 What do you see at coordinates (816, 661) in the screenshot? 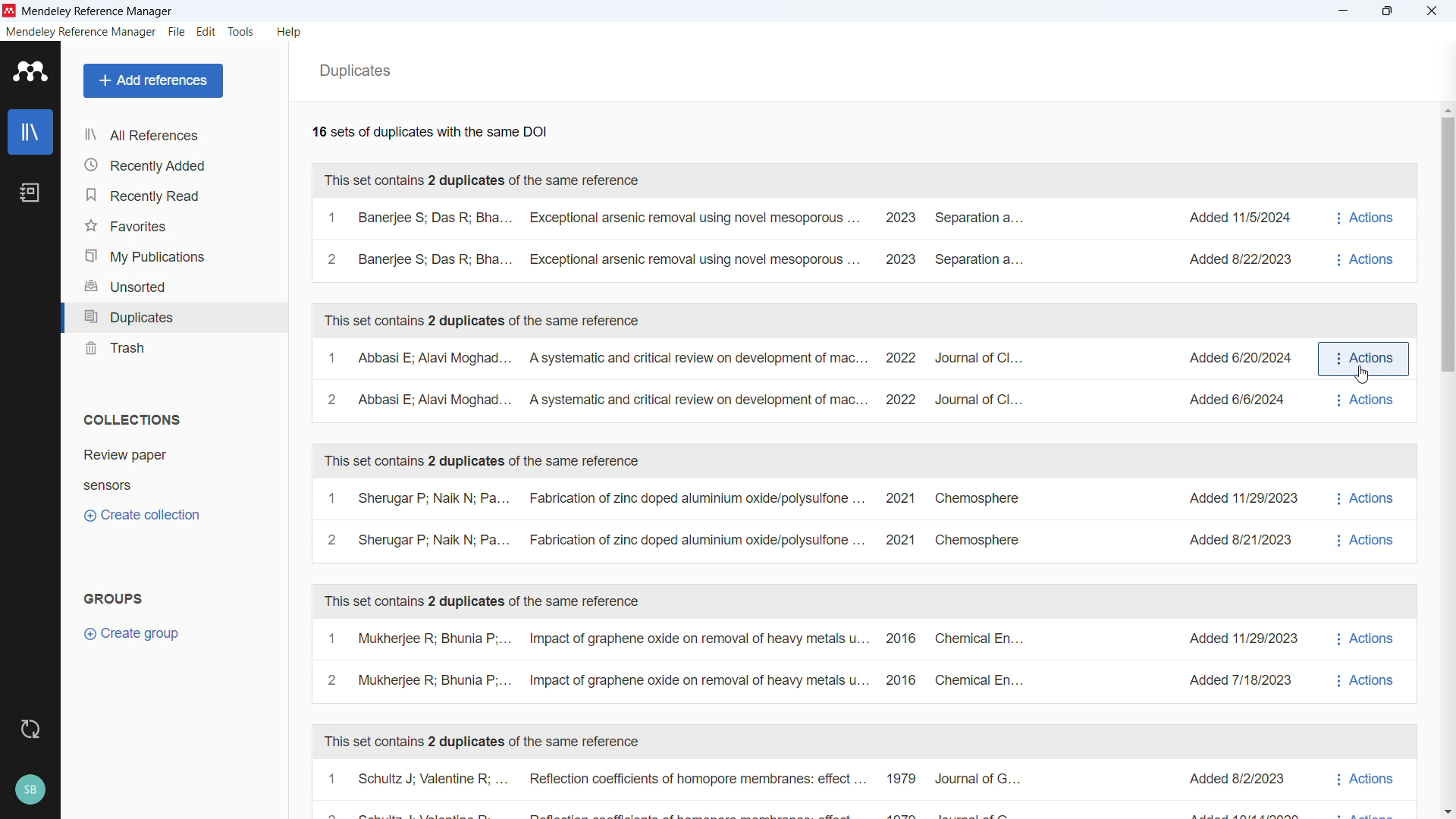
I see `A set of duplicates ` at bounding box center [816, 661].